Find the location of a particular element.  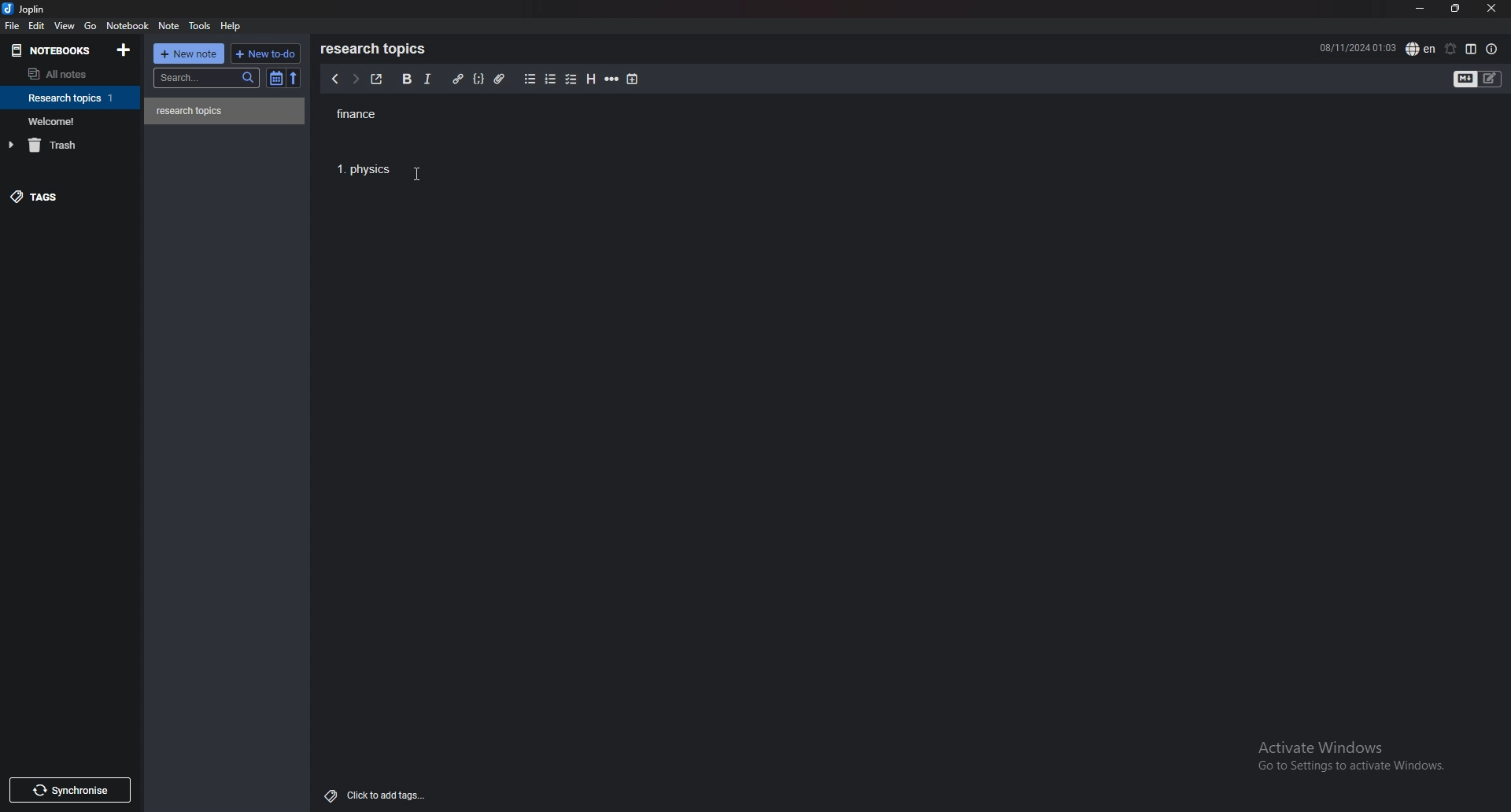

help is located at coordinates (233, 25).